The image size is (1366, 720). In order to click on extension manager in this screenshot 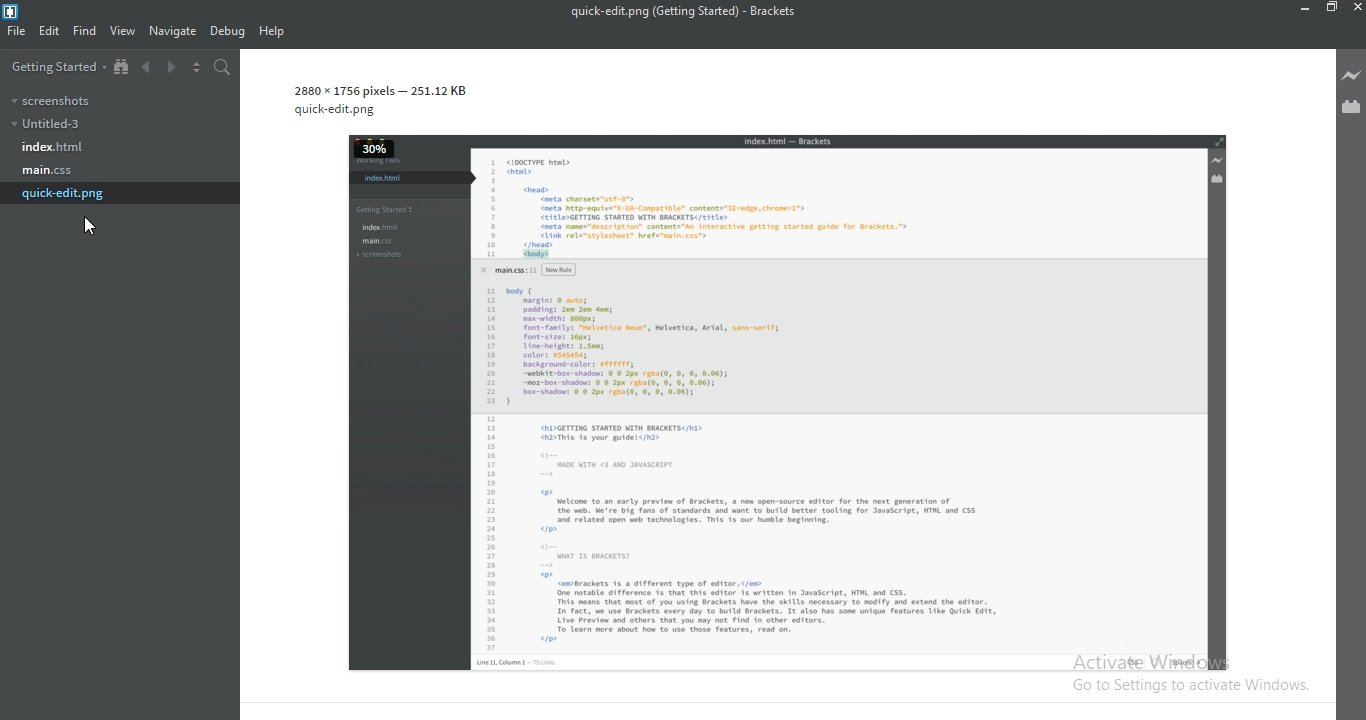, I will do `click(1352, 109)`.